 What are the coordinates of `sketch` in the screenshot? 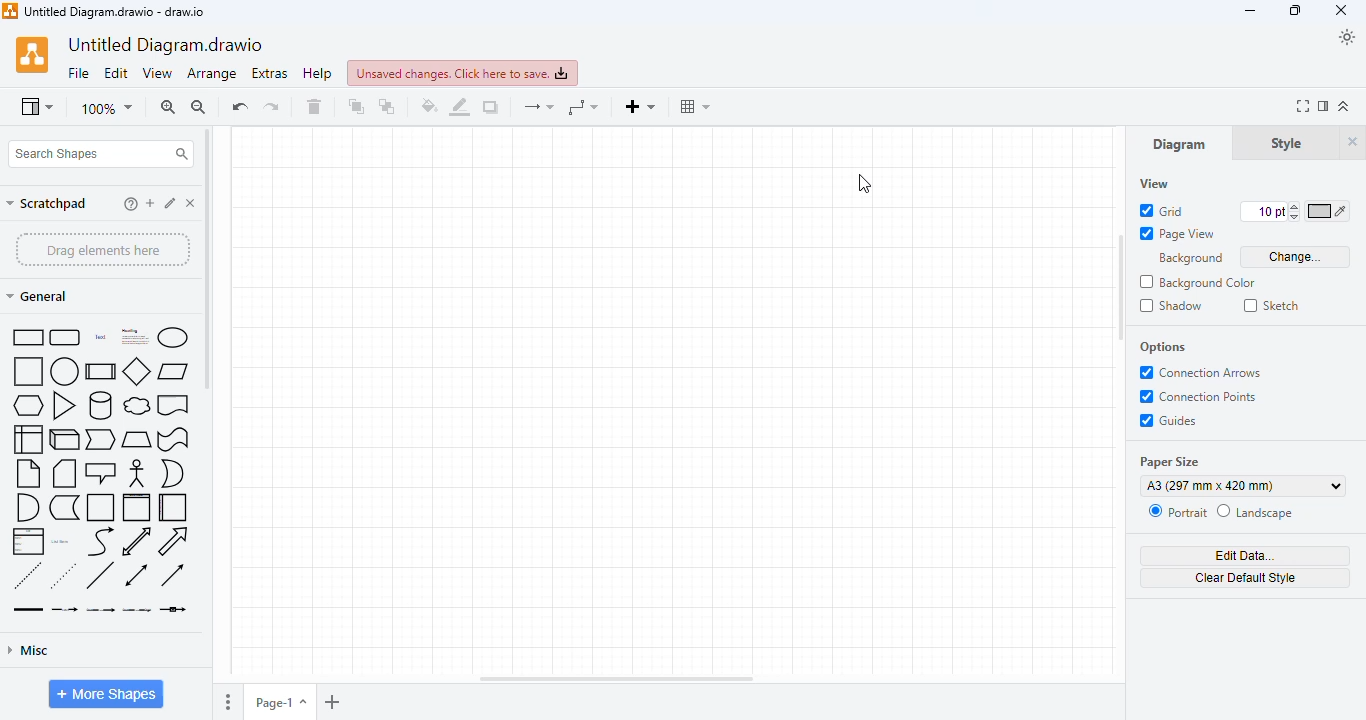 It's located at (1272, 305).